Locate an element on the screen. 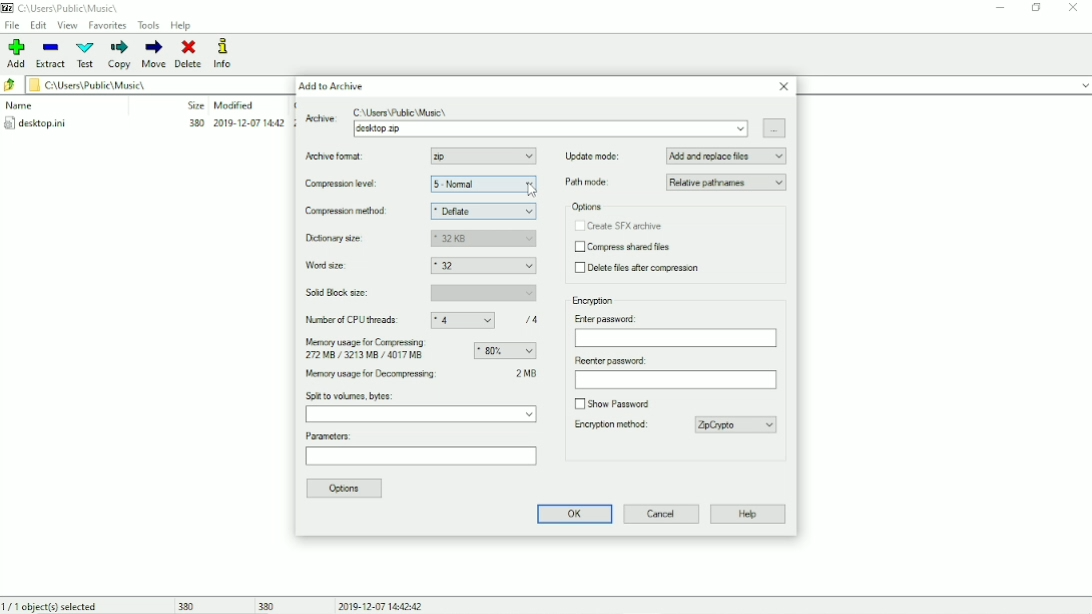  Size is located at coordinates (192, 105).